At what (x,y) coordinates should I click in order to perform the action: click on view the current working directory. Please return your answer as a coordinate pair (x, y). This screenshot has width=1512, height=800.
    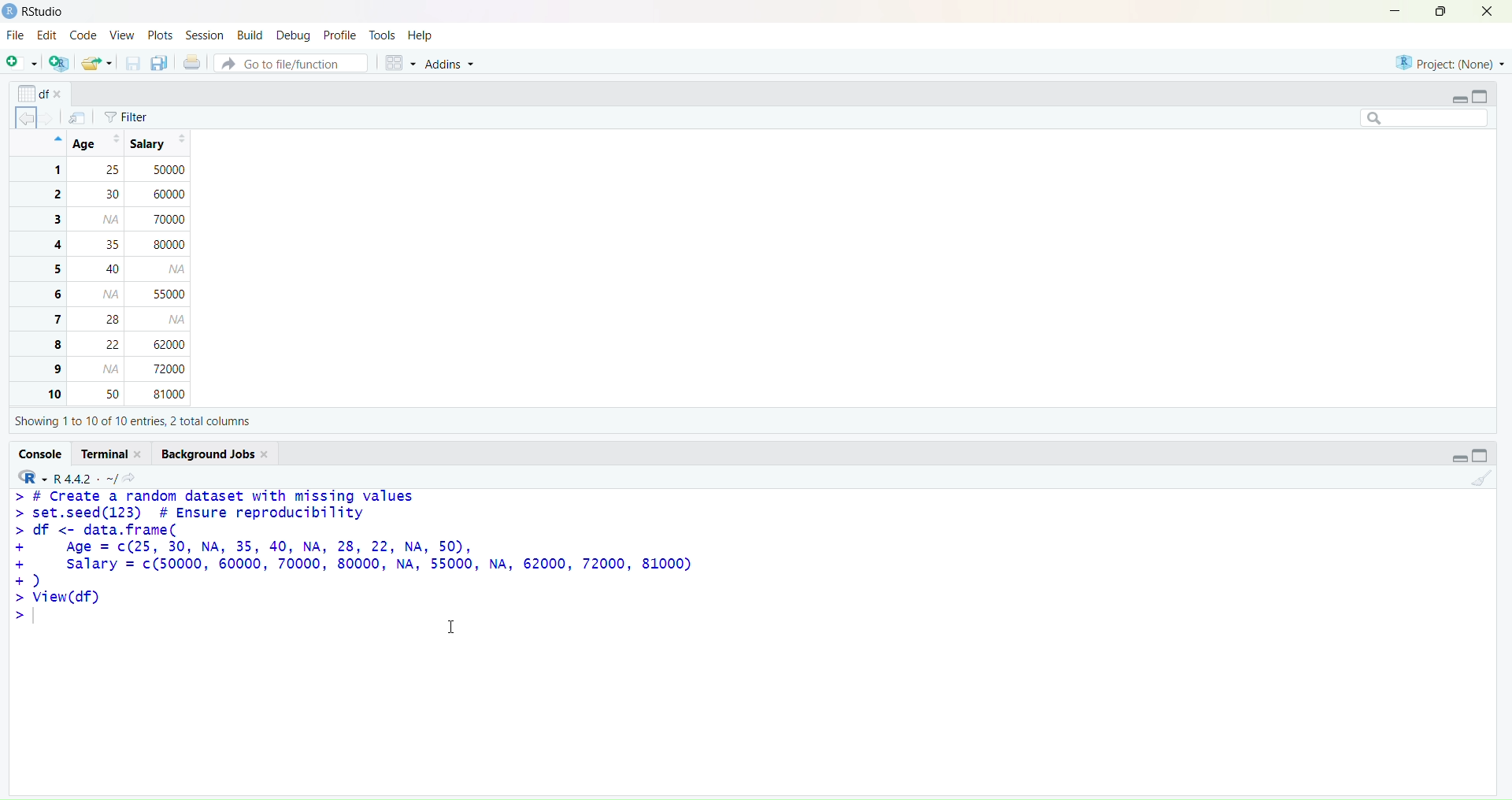
    Looking at the image, I should click on (132, 476).